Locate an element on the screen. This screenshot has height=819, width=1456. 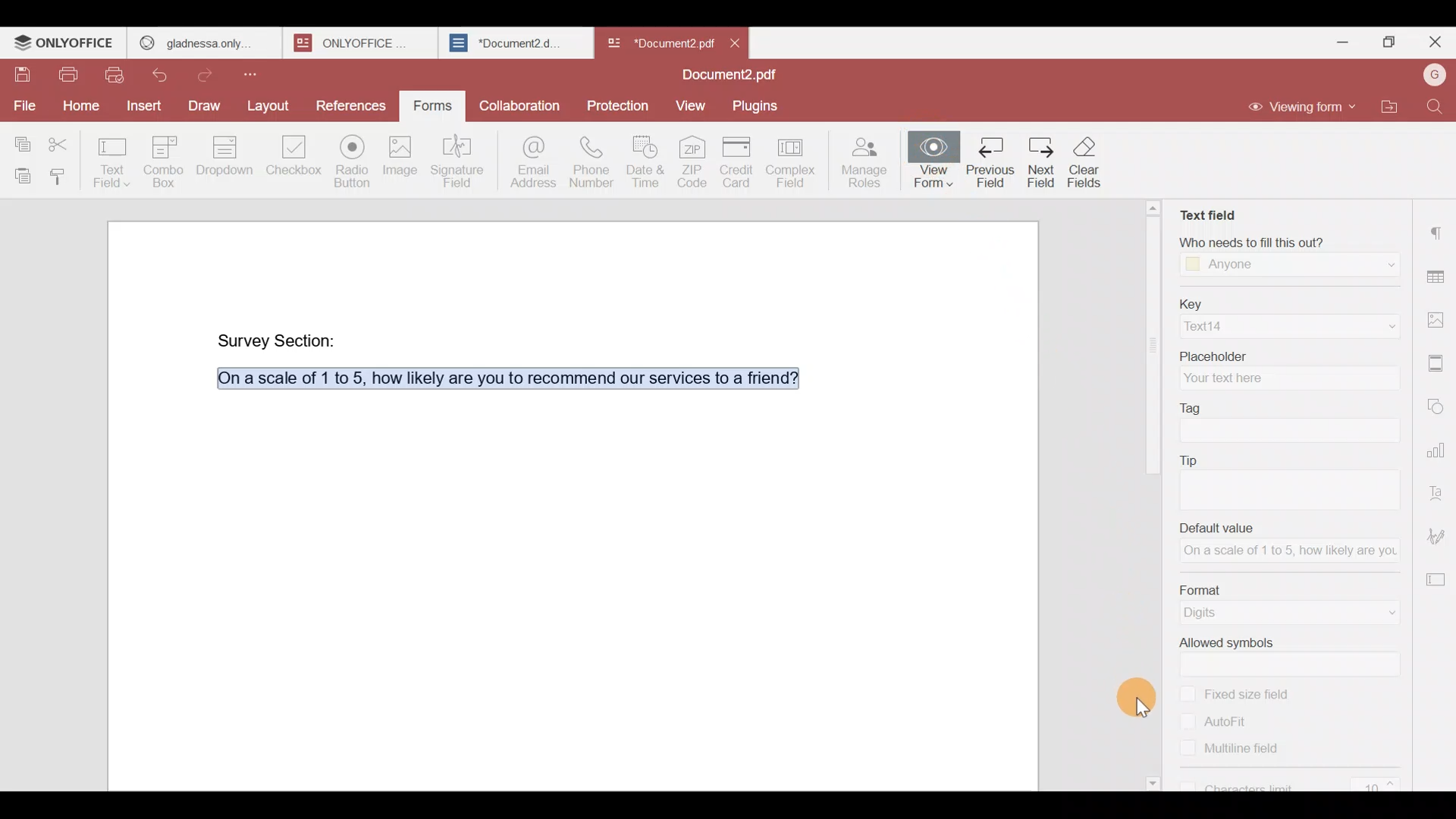
Autofit is located at coordinates (1215, 721).